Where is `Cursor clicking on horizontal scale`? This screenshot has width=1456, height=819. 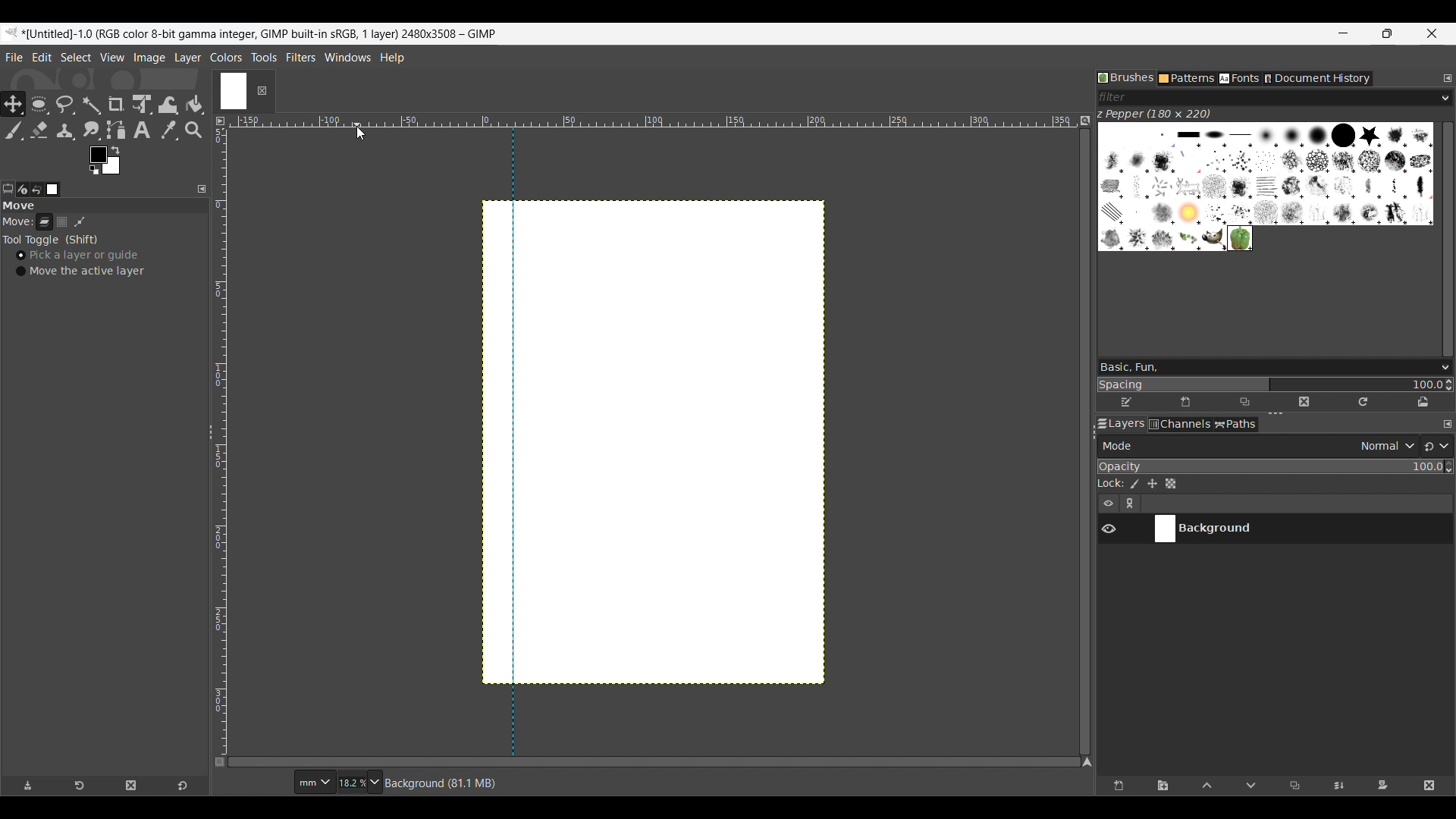
Cursor clicking on horizontal scale is located at coordinates (360, 133).